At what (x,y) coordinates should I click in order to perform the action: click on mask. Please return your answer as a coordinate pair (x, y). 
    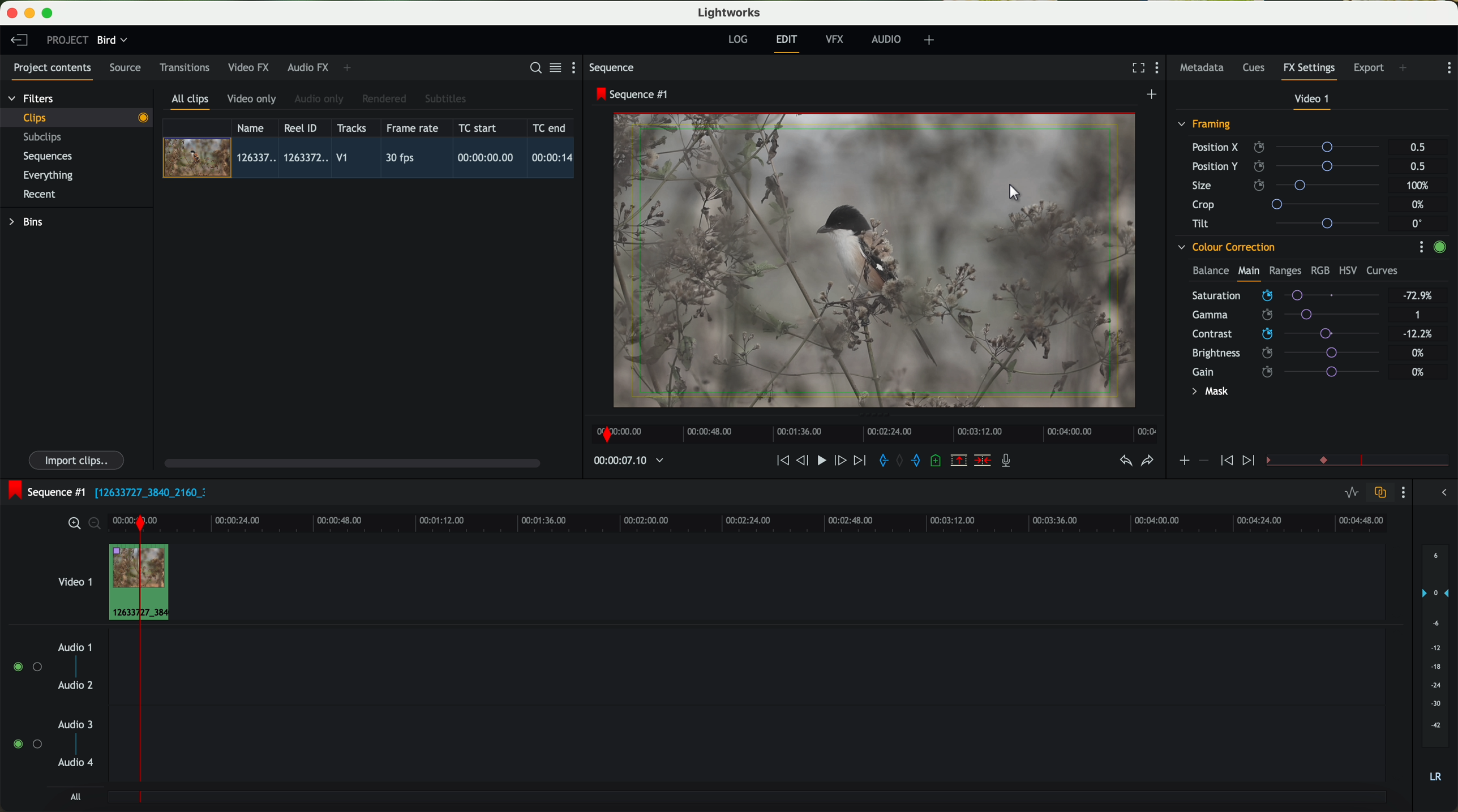
    Looking at the image, I should click on (1208, 393).